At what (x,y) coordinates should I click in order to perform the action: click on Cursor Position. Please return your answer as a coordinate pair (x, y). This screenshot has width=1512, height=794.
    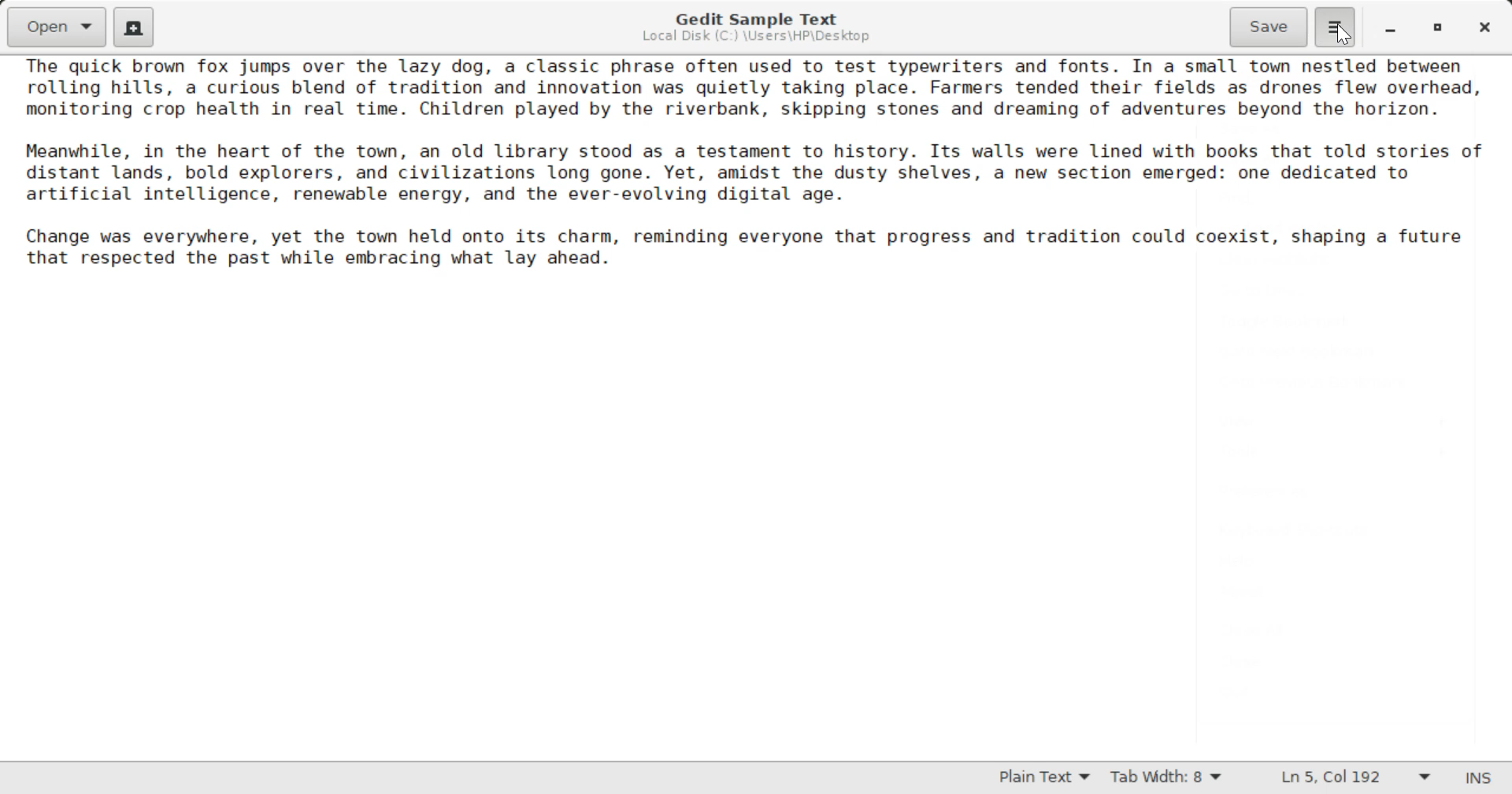
    Looking at the image, I should click on (1340, 34).